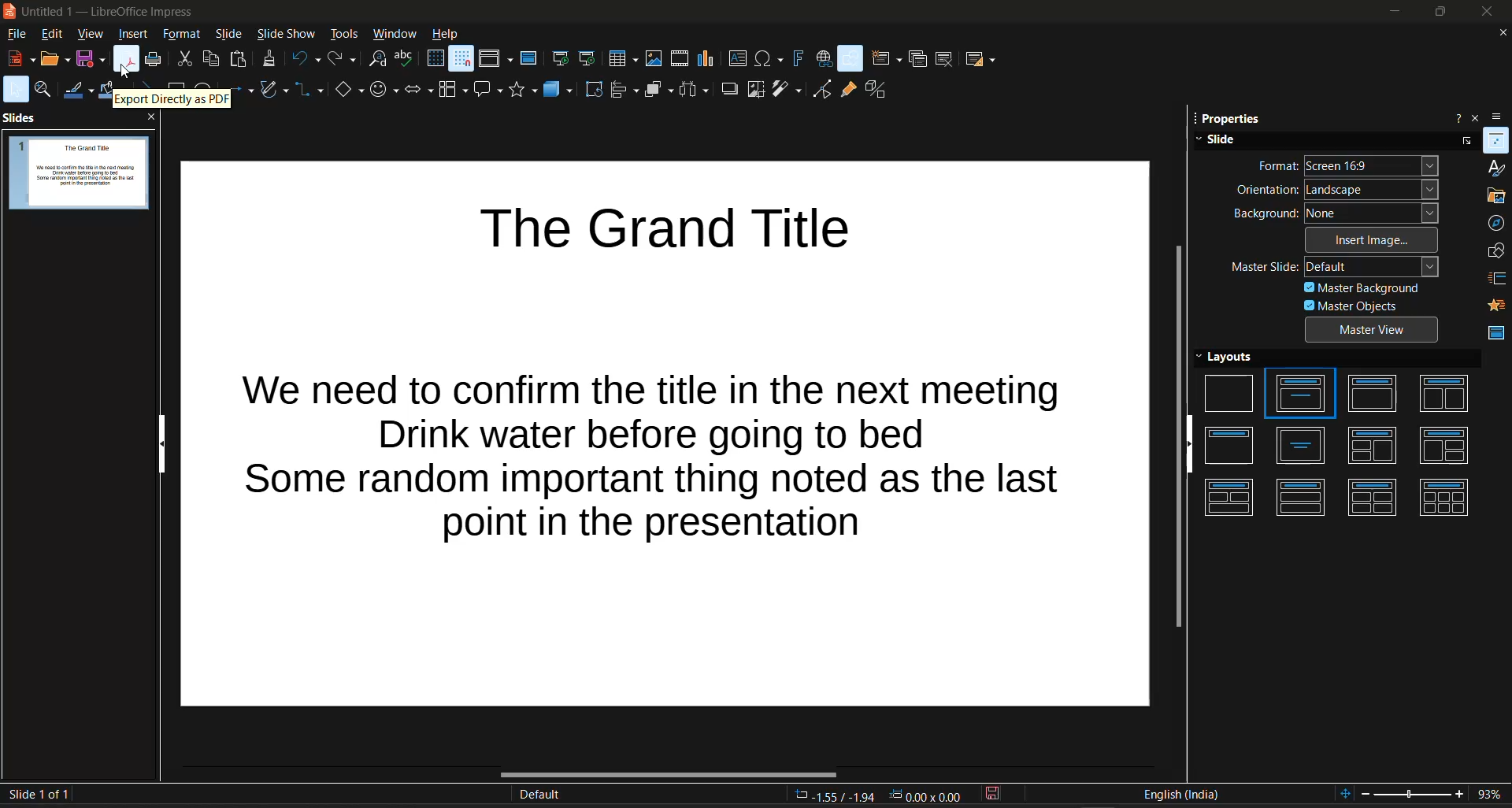  Describe the element at coordinates (666, 433) in the screenshot. I see `The Grand Title
We need to confirm the title in the next meeting
Drink water before going to bed
Some random important thing noted as the last
point in the presentation` at that location.